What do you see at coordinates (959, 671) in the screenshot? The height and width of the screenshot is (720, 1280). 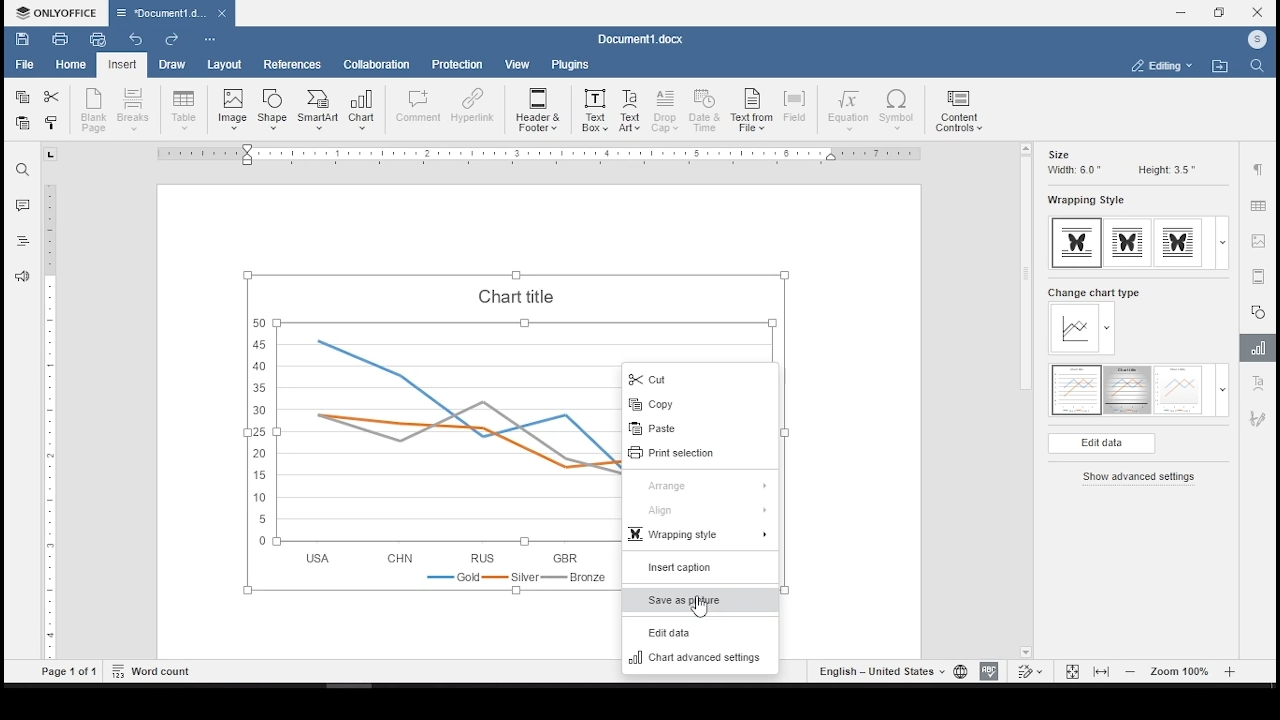 I see `set document language` at bounding box center [959, 671].